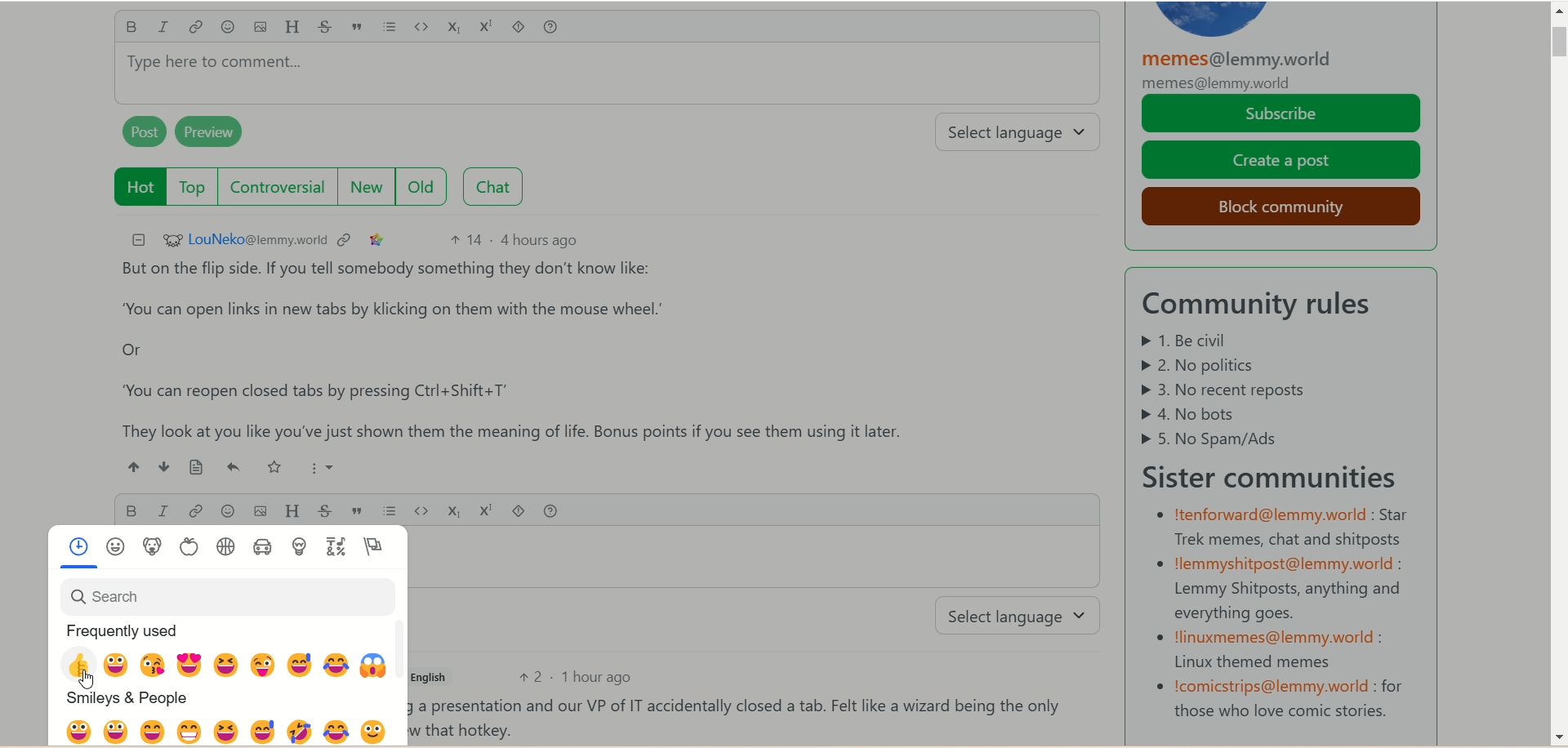 The width and height of the screenshot is (1568, 748). Describe the element at coordinates (487, 24) in the screenshot. I see `superscript` at that location.